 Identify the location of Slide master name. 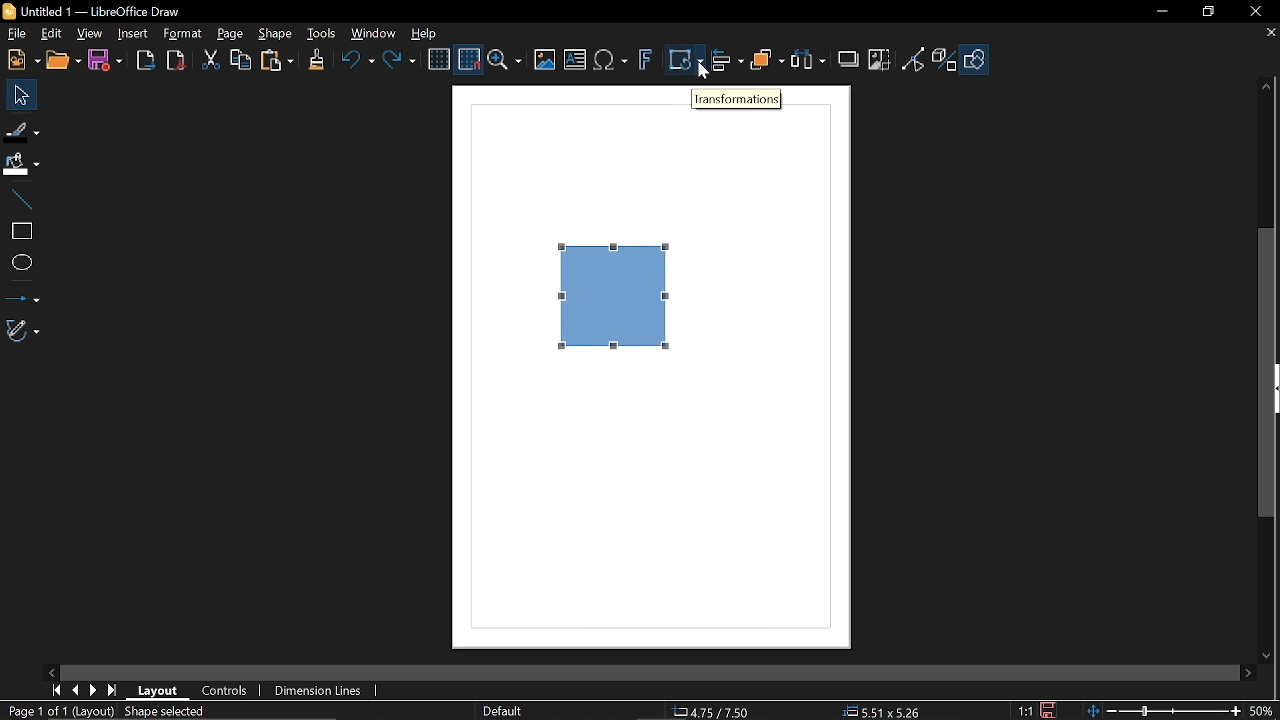
(503, 709).